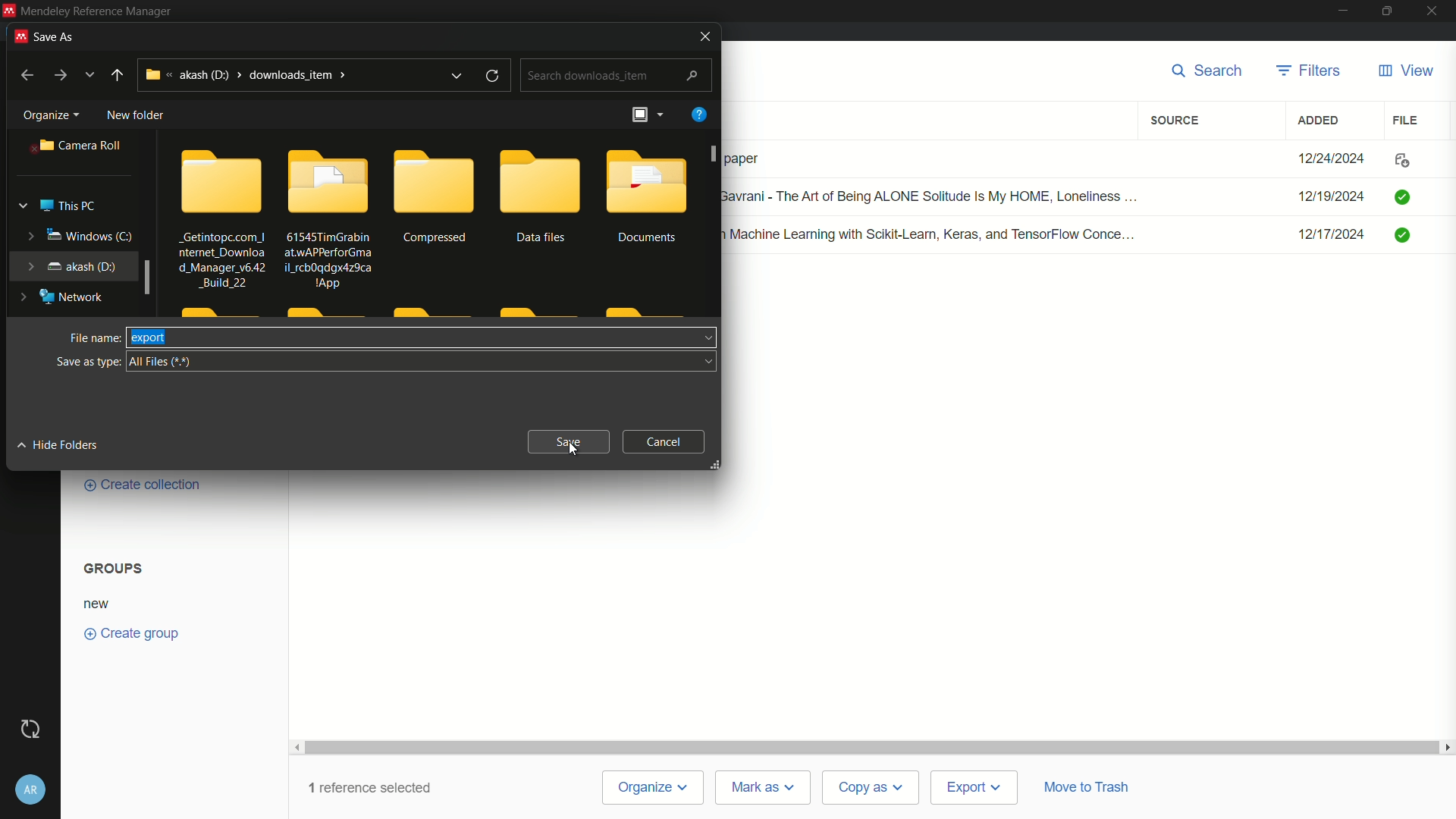 This screenshot has width=1456, height=819. Describe the element at coordinates (654, 789) in the screenshot. I see `organize` at that location.